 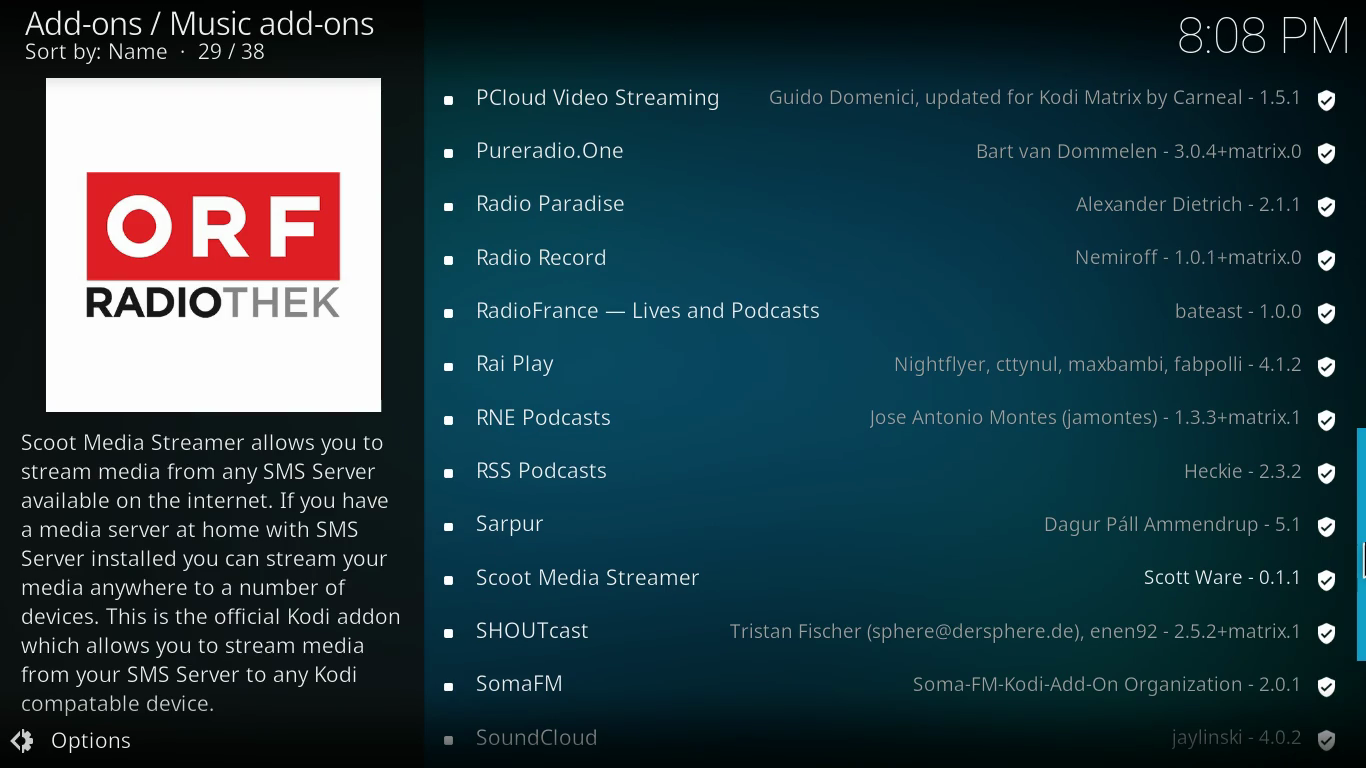 I want to click on Options, so click(x=89, y=742).